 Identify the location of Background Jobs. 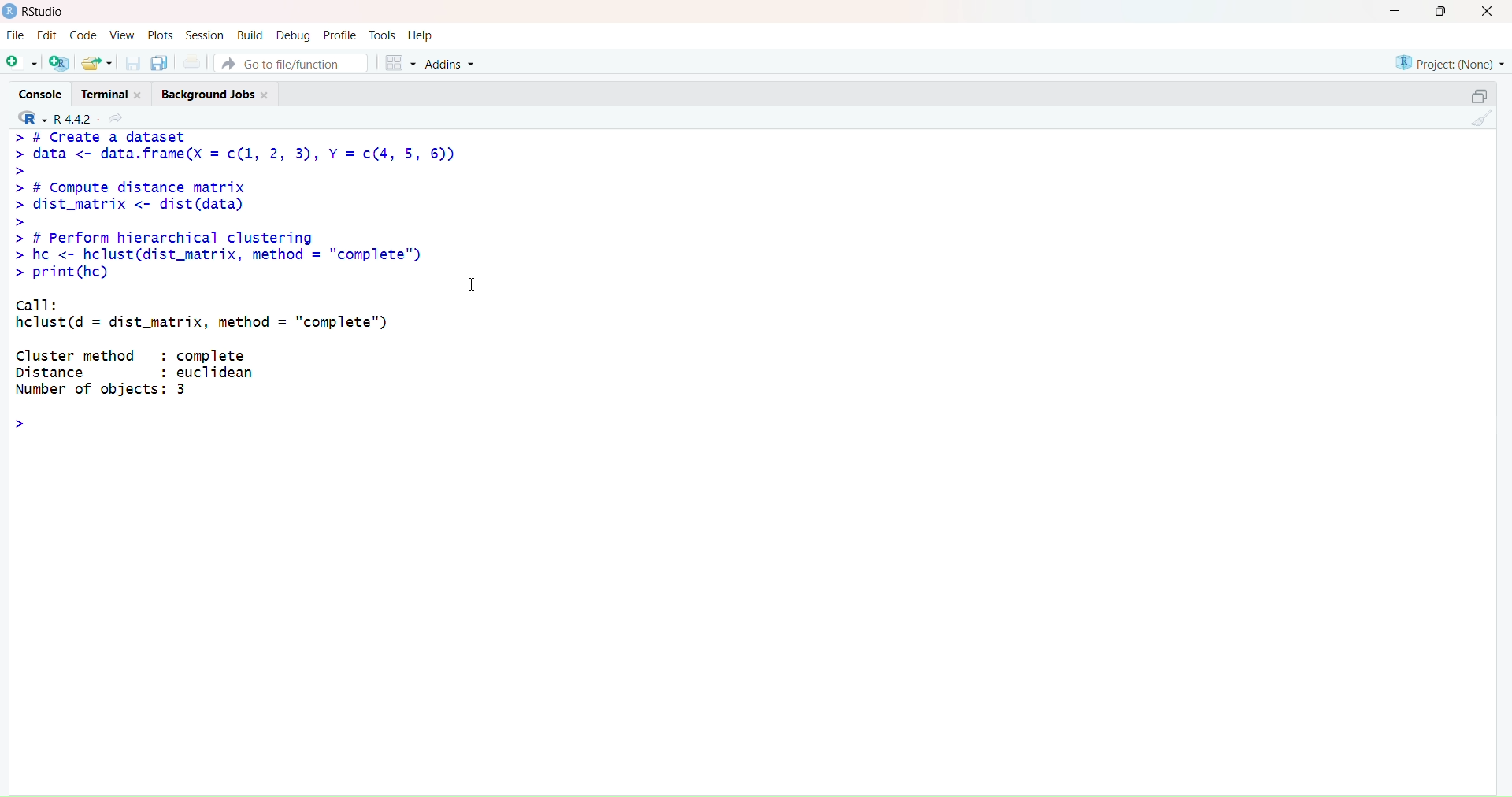
(213, 91).